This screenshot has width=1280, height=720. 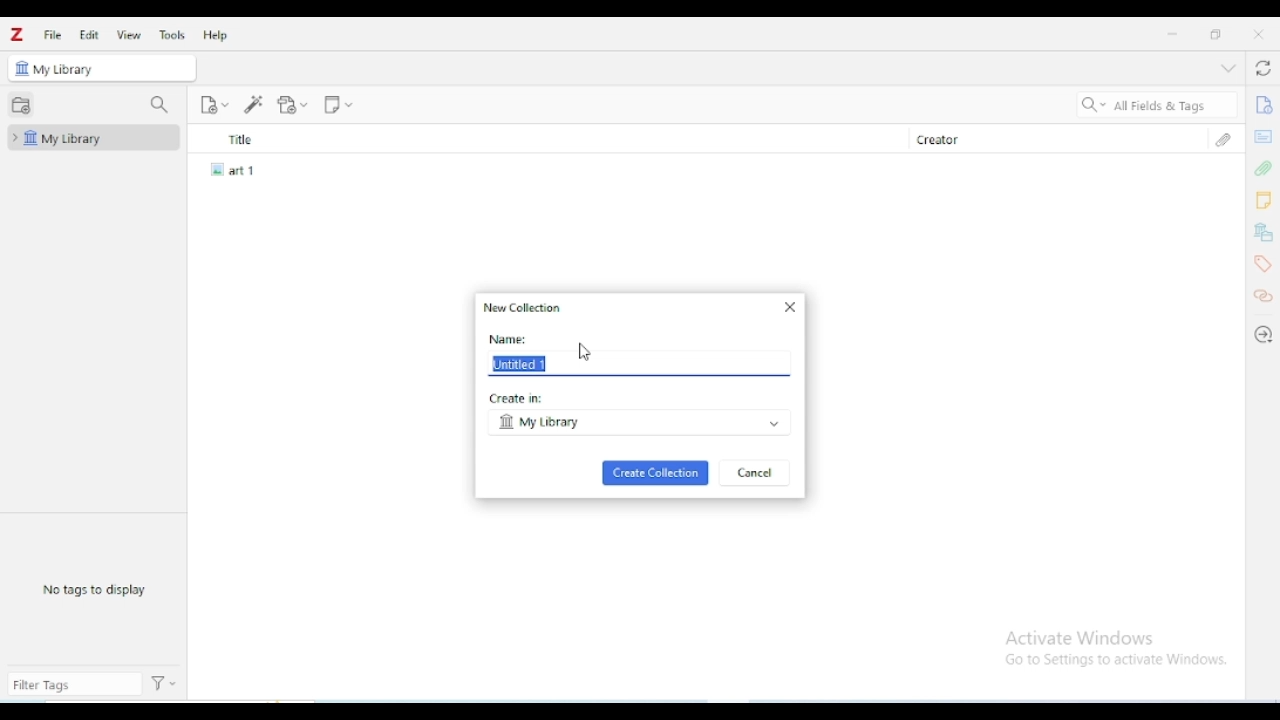 I want to click on filter tags, so click(x=74, y=685).